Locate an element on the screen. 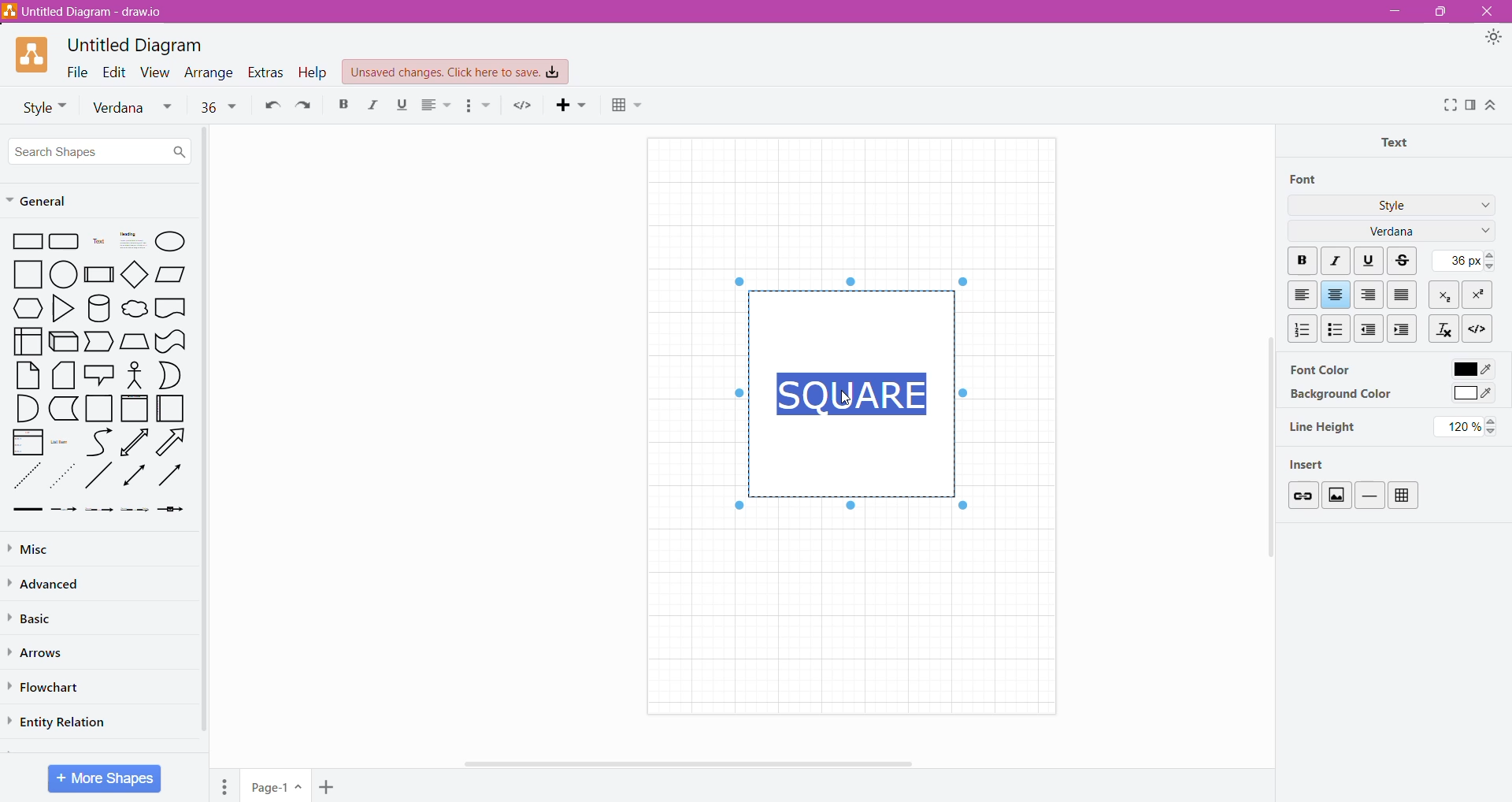 Image resolution: width=1512 pixels, height=802 pixels. Ellipse is located at coordinates (170, 243).